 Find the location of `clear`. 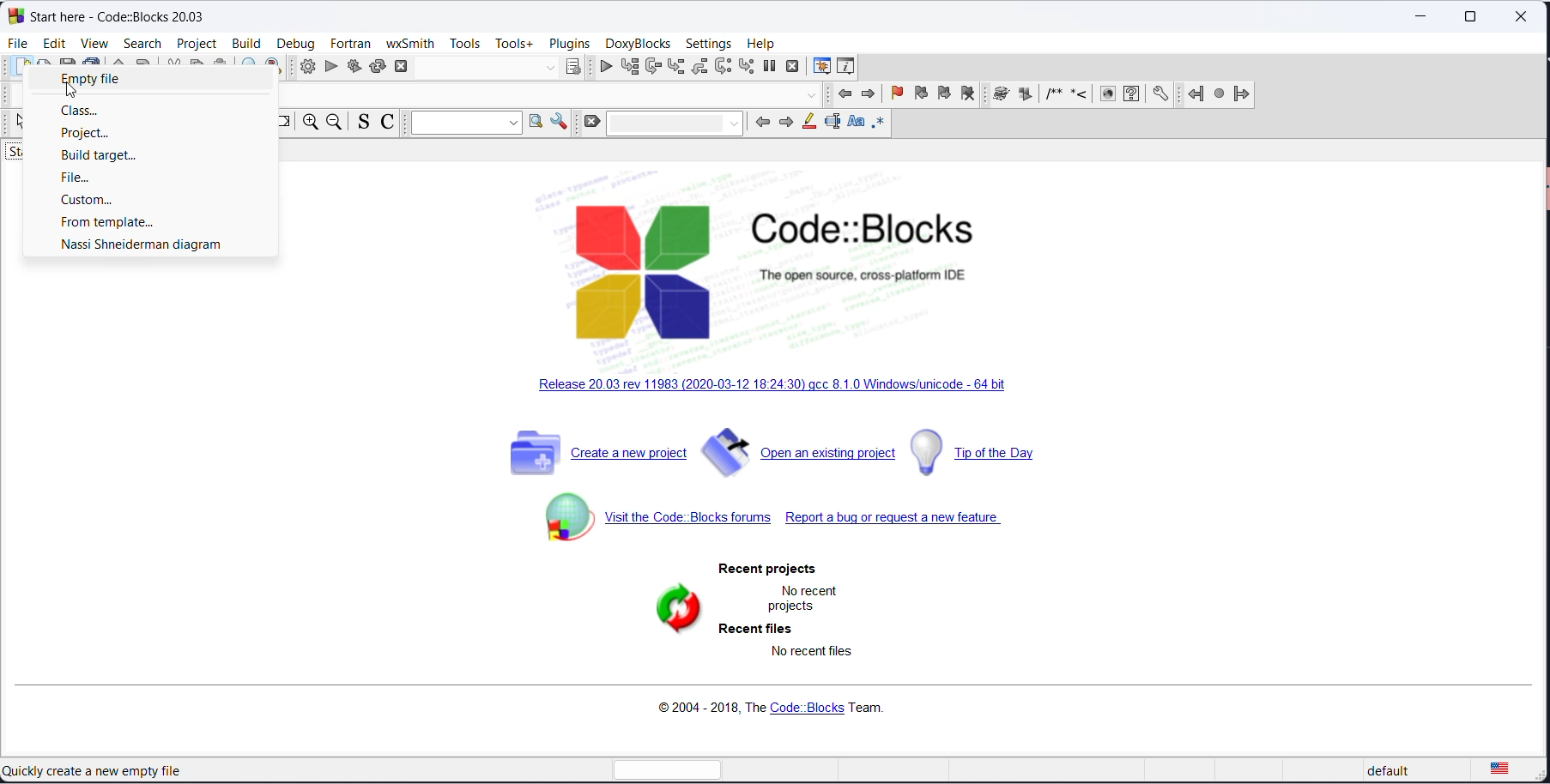

clear is located at coordinates (590, 124).